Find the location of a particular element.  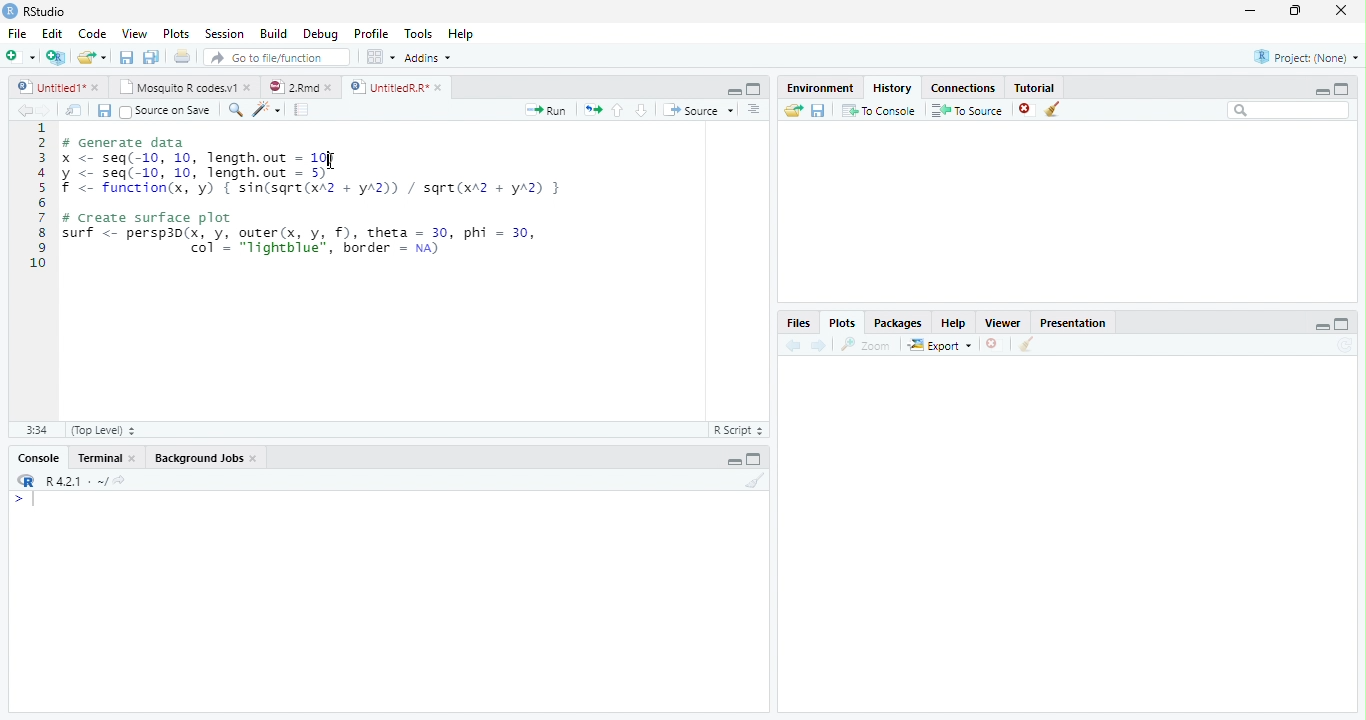

Untitled1* is located at coordinates (48, 86).